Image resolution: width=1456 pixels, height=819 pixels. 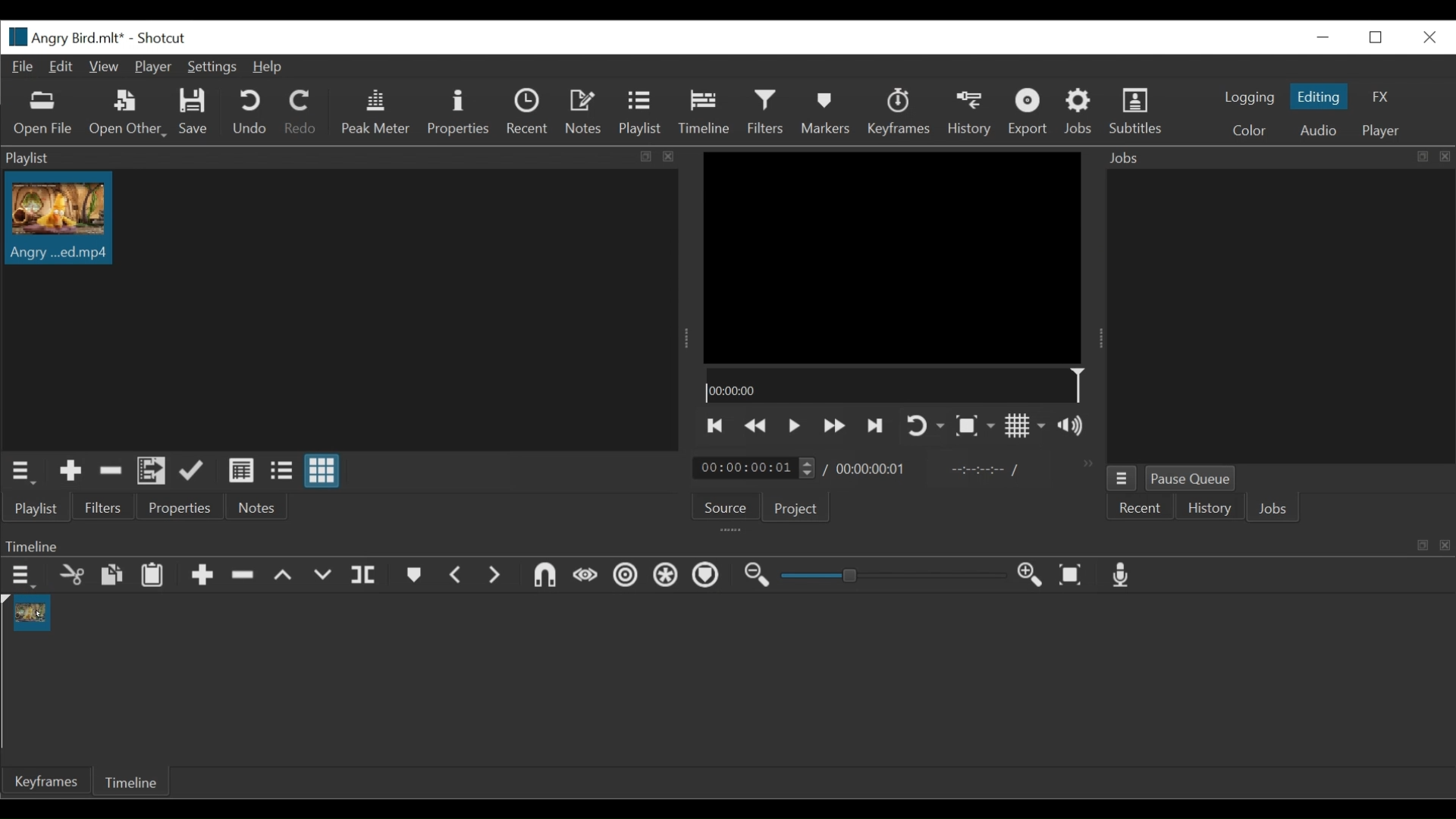 I want to click on Snap, so click(x=544, y=577).